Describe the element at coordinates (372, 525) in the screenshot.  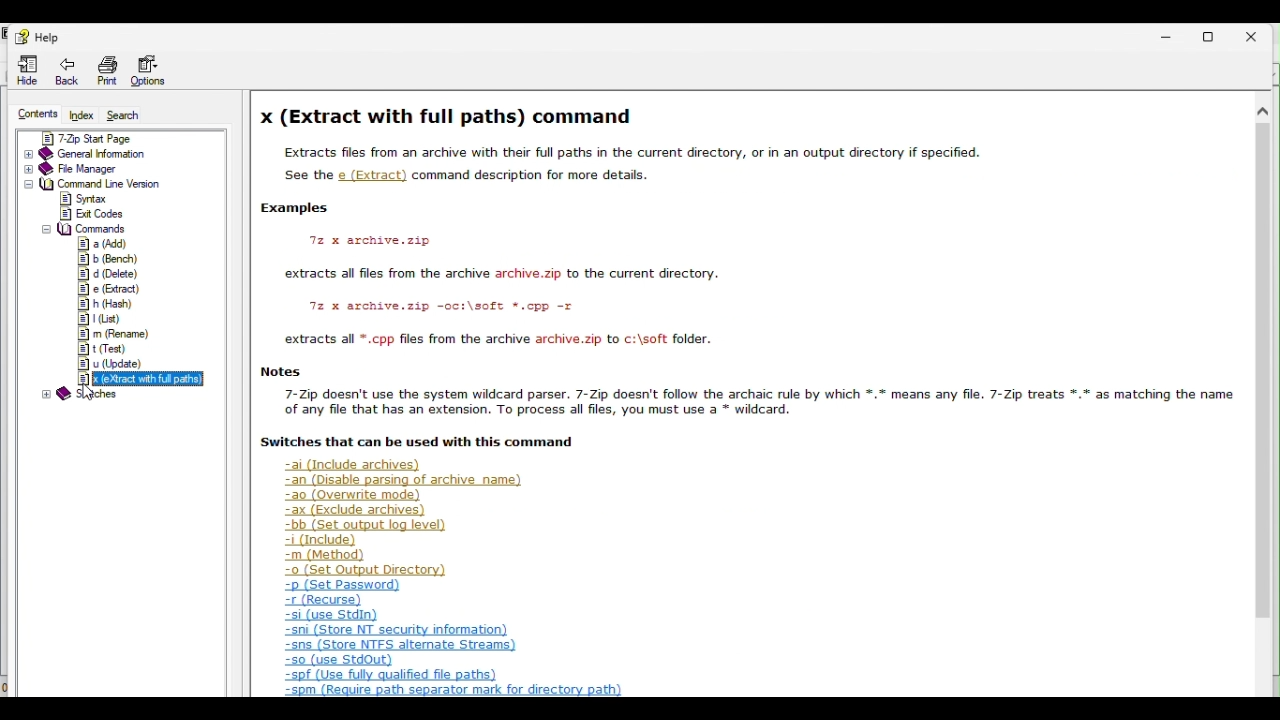
I see `-bb` at that location.